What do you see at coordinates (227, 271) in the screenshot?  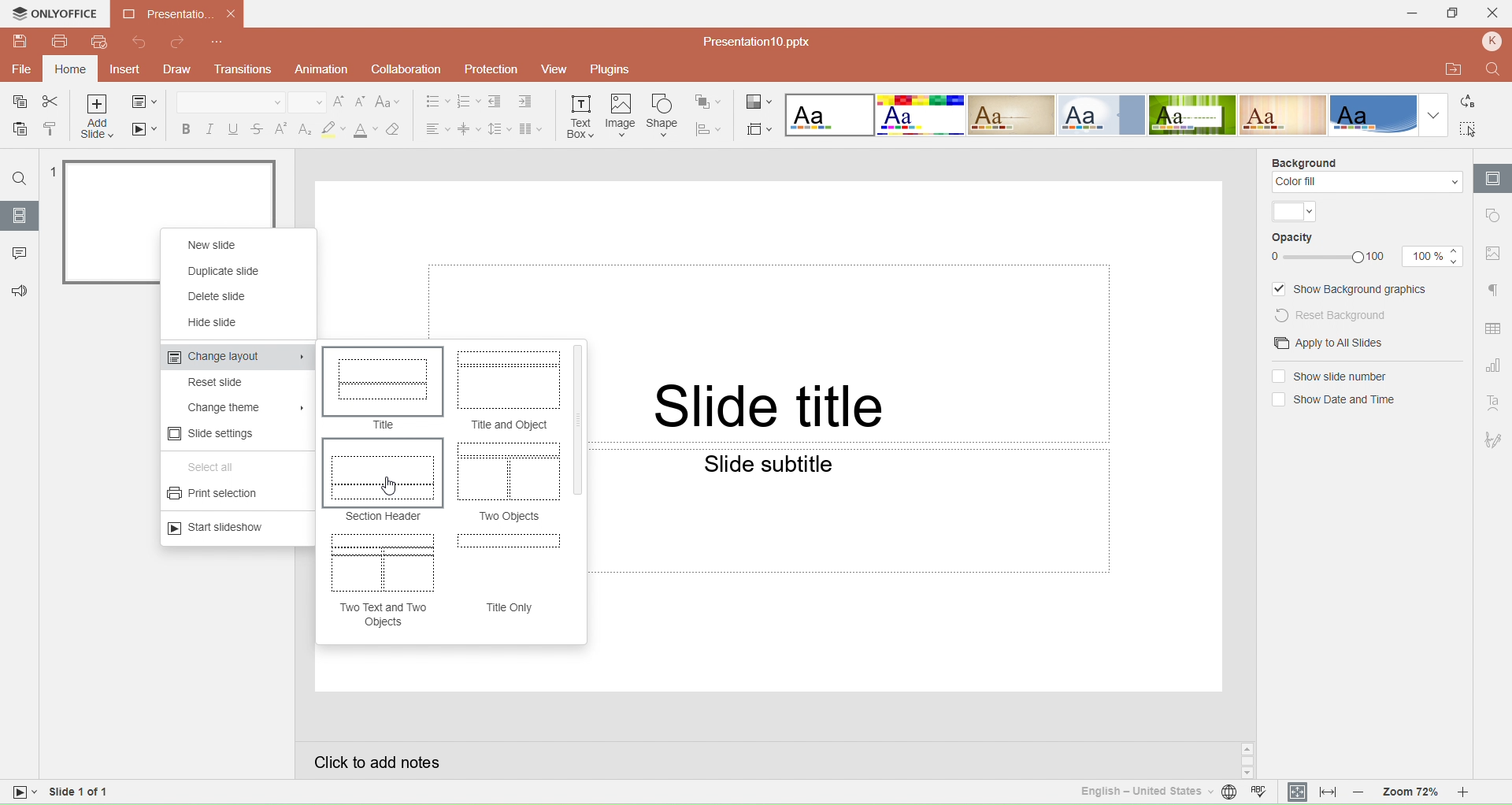 I see `Duplicate slide` at bounding box center [227, 271].